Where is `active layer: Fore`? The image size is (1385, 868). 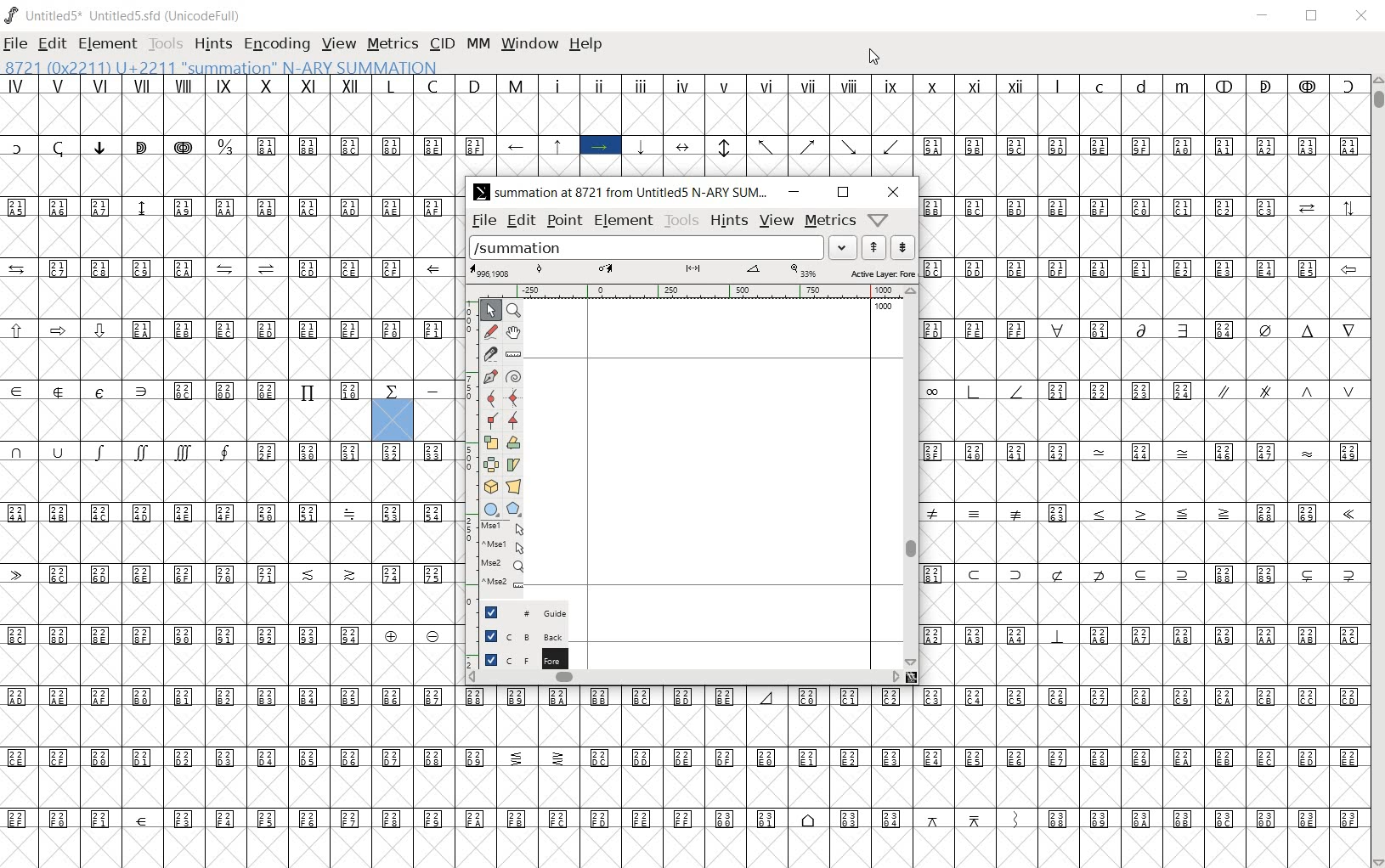
active layer: Fore is located at coordinates (692, 272).